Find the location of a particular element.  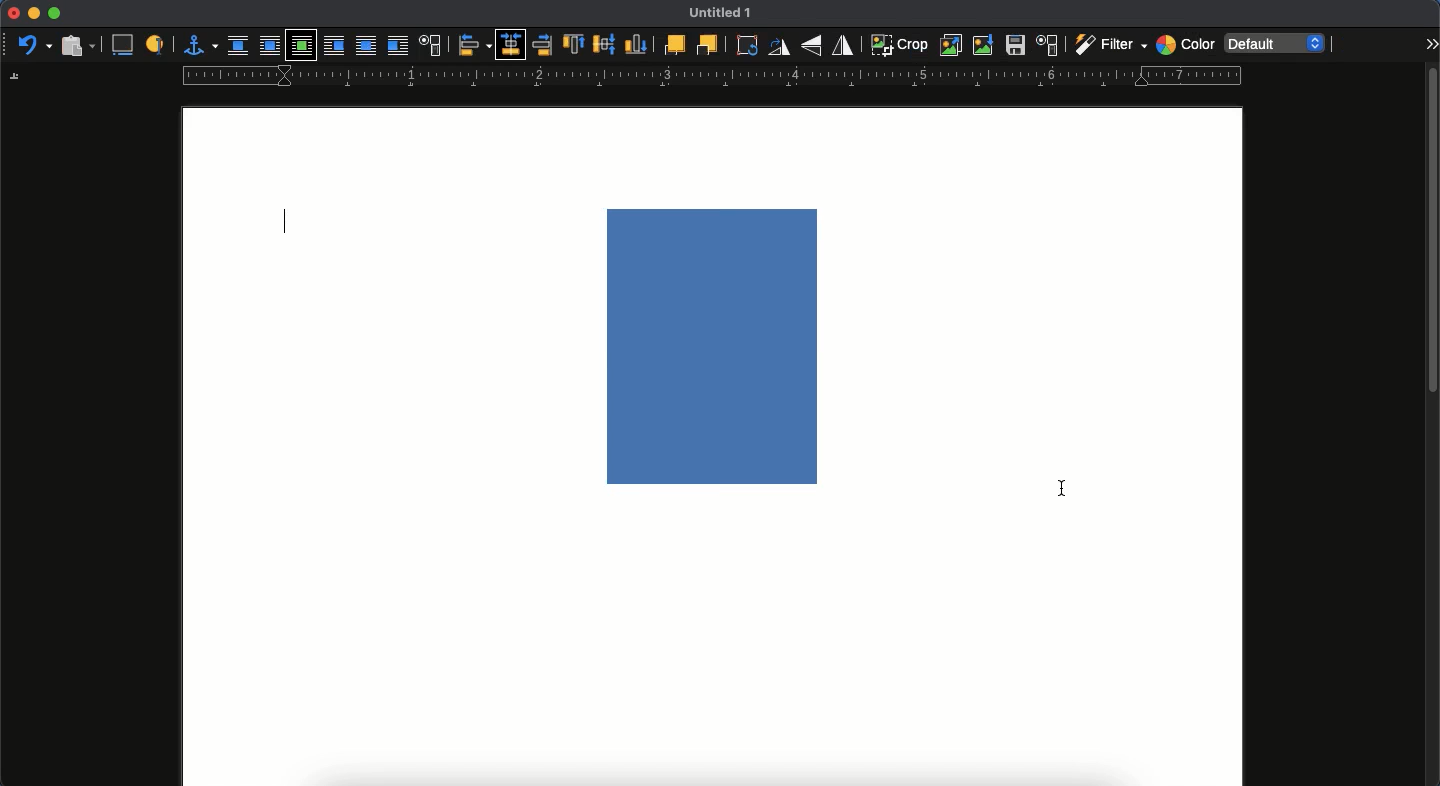

close is located at coordinates (11, 12).